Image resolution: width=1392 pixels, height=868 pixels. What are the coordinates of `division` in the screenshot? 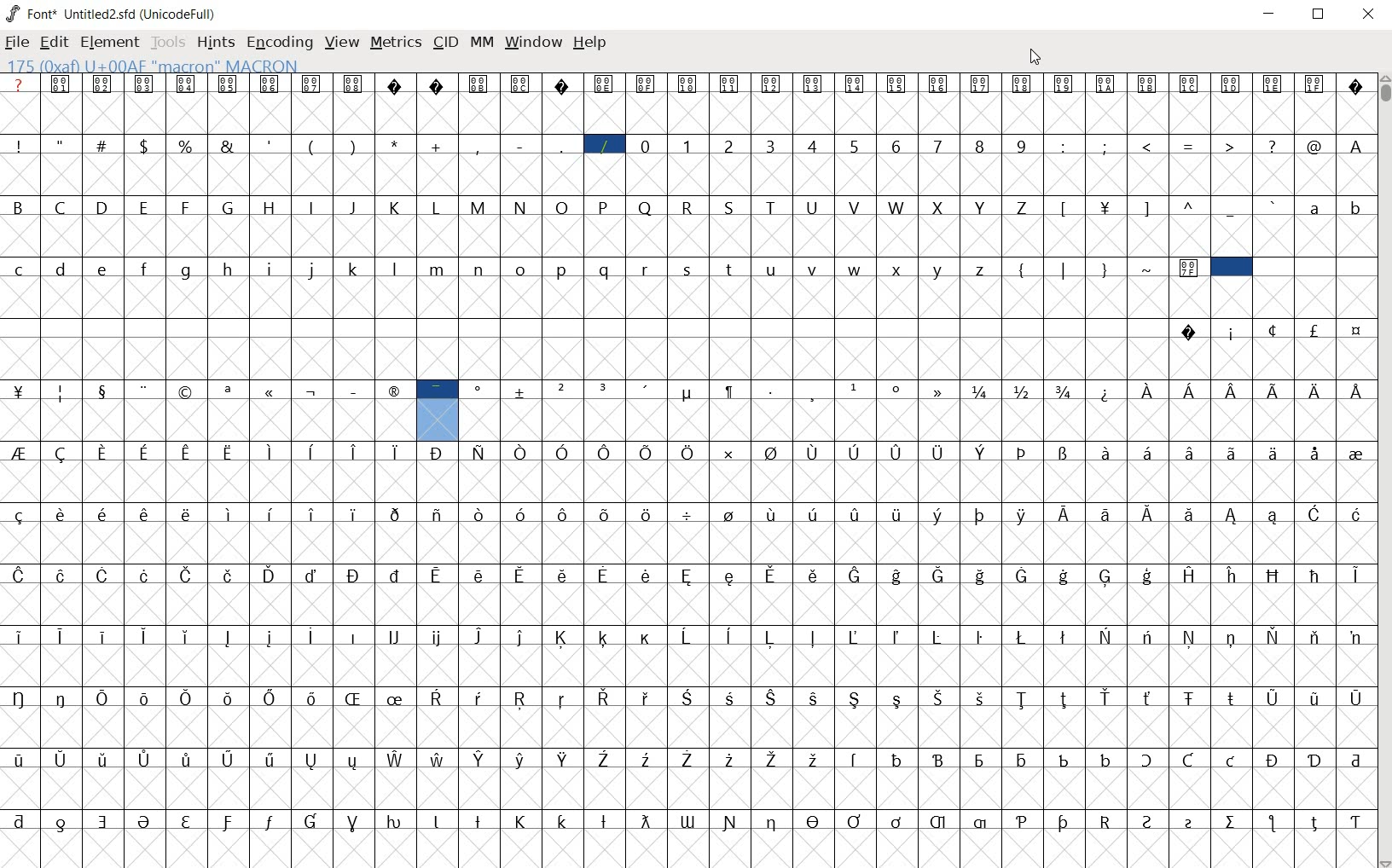 It's located at (689, 534).